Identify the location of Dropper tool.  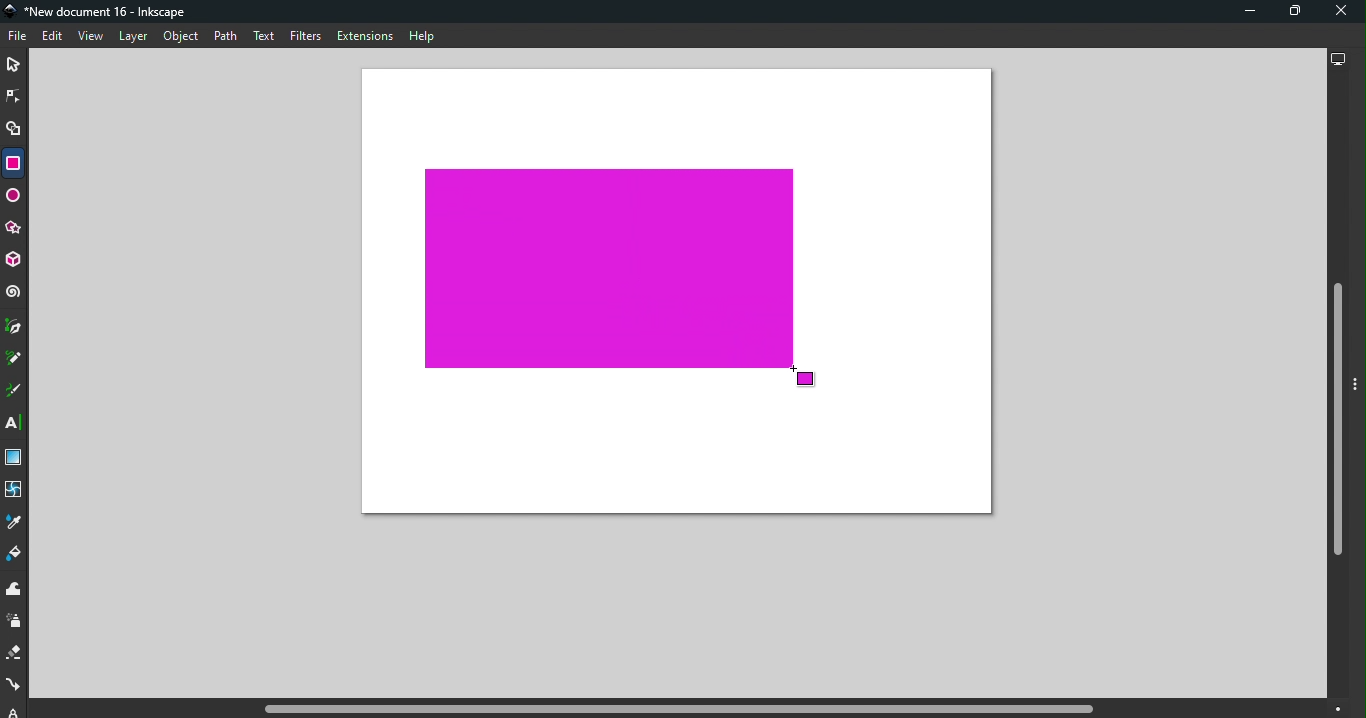
(14, 522).